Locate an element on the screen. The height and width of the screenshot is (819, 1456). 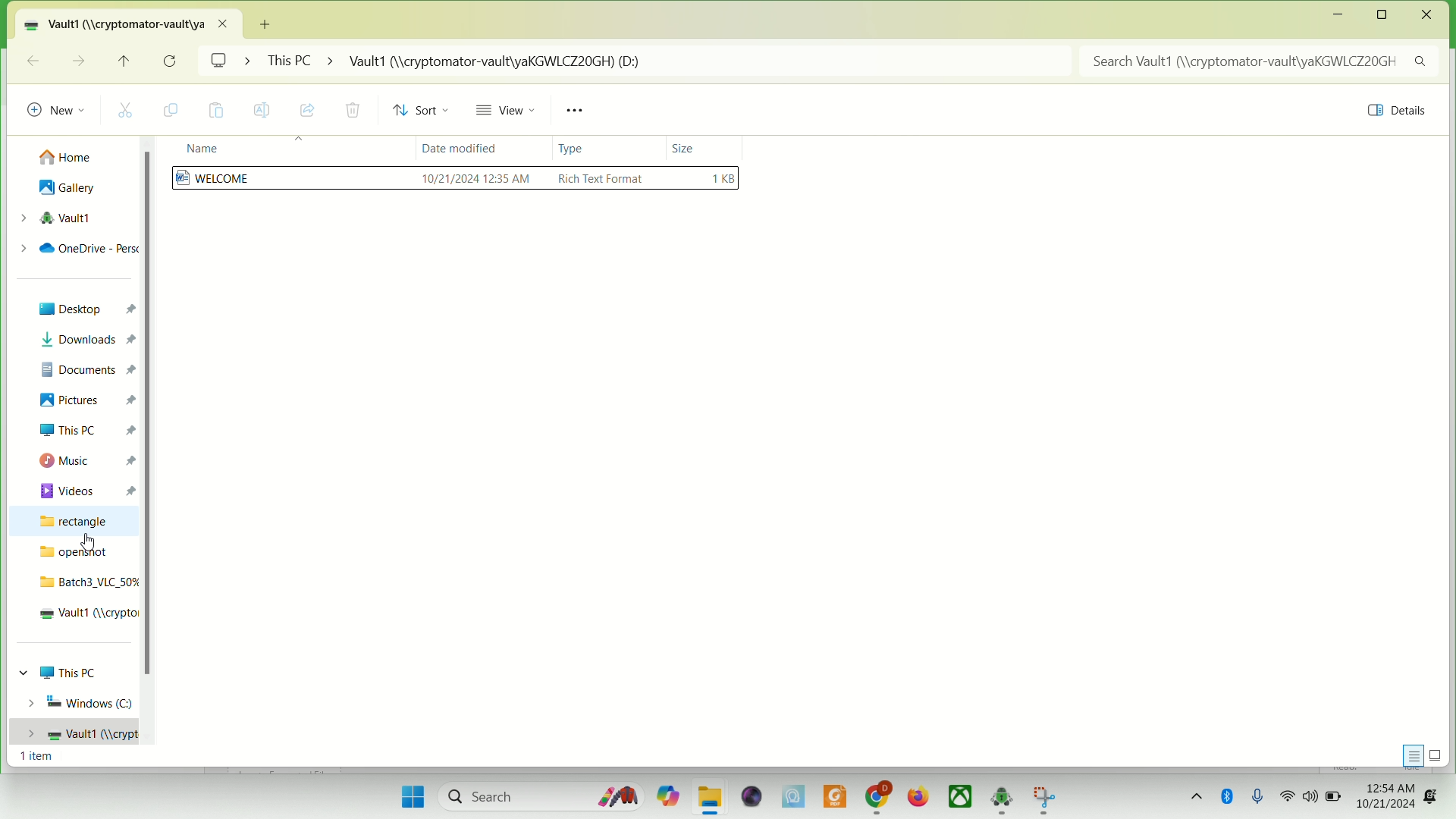
cryptomator is located at coordinates (1002, 798).